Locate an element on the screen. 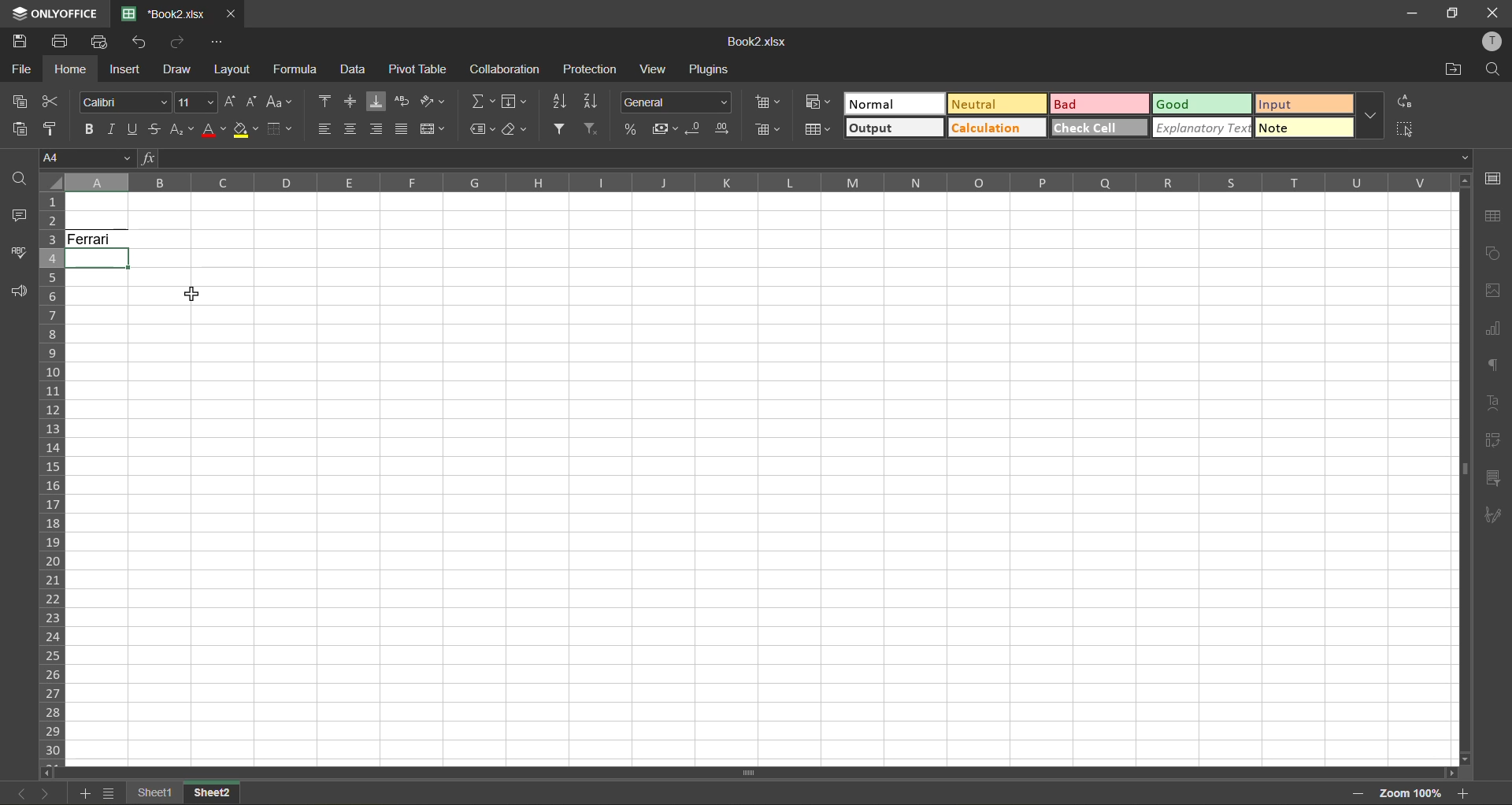  pivot table is located at coordinates (1494, 440).